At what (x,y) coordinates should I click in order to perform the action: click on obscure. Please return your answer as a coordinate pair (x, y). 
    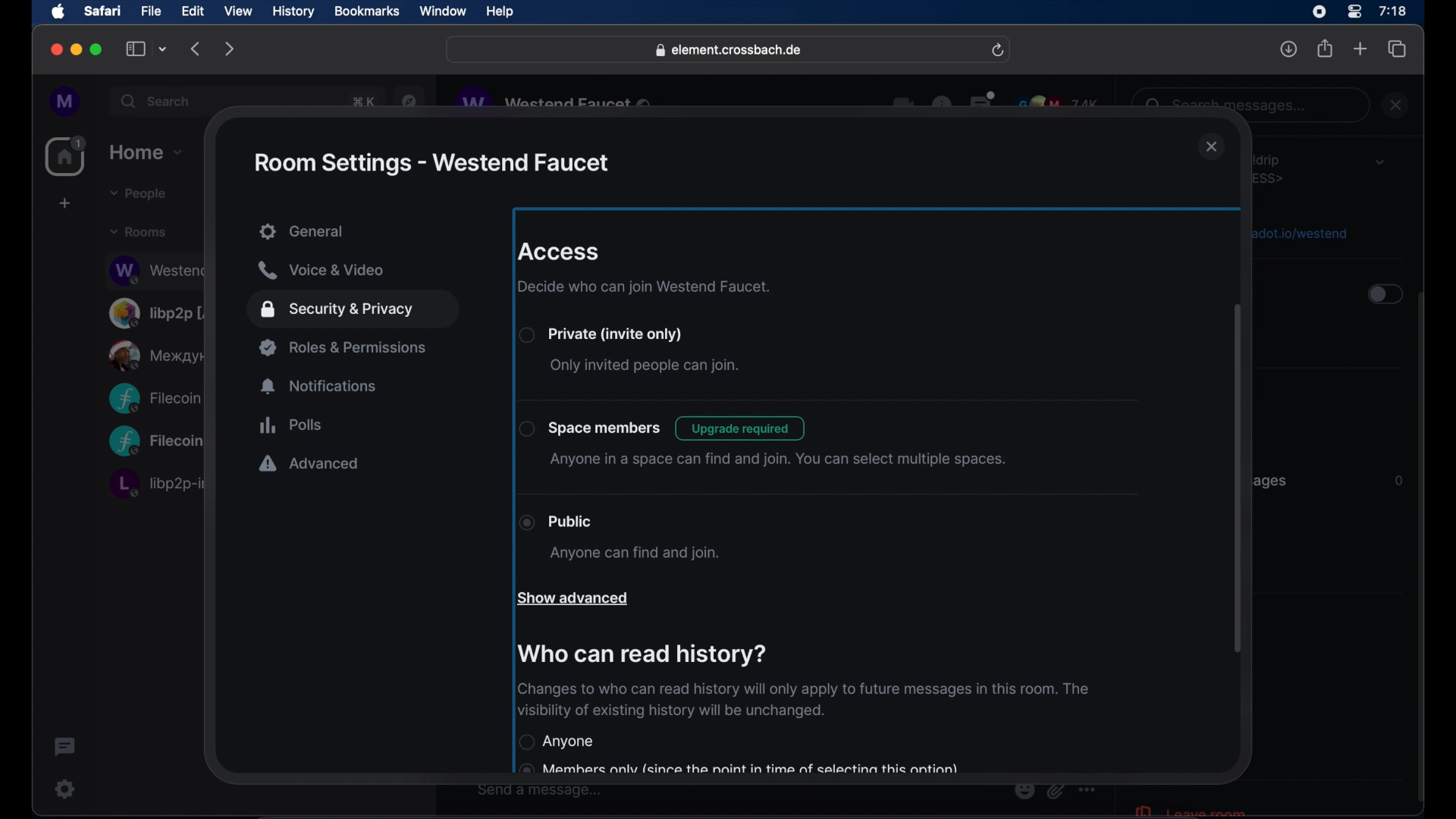
    Looking at the image, I should click on (158, 355).